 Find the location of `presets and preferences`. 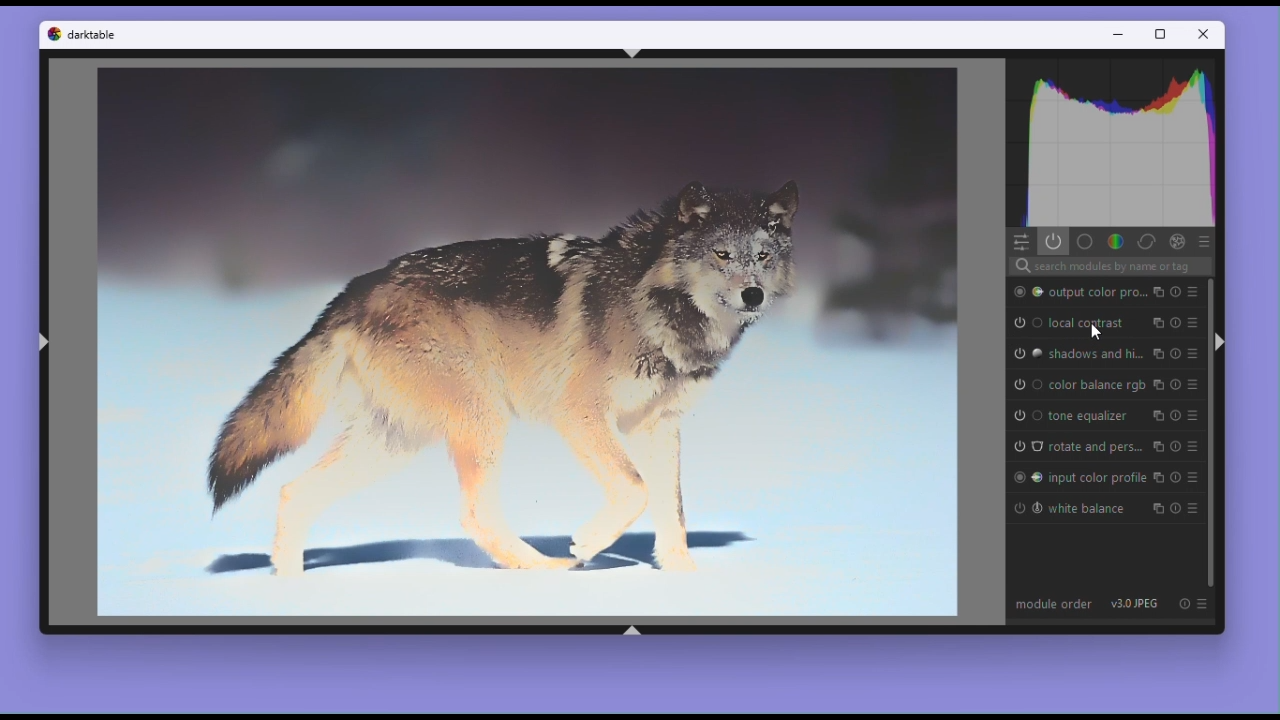

presets and preferences is located at coordinates (1203, 604).